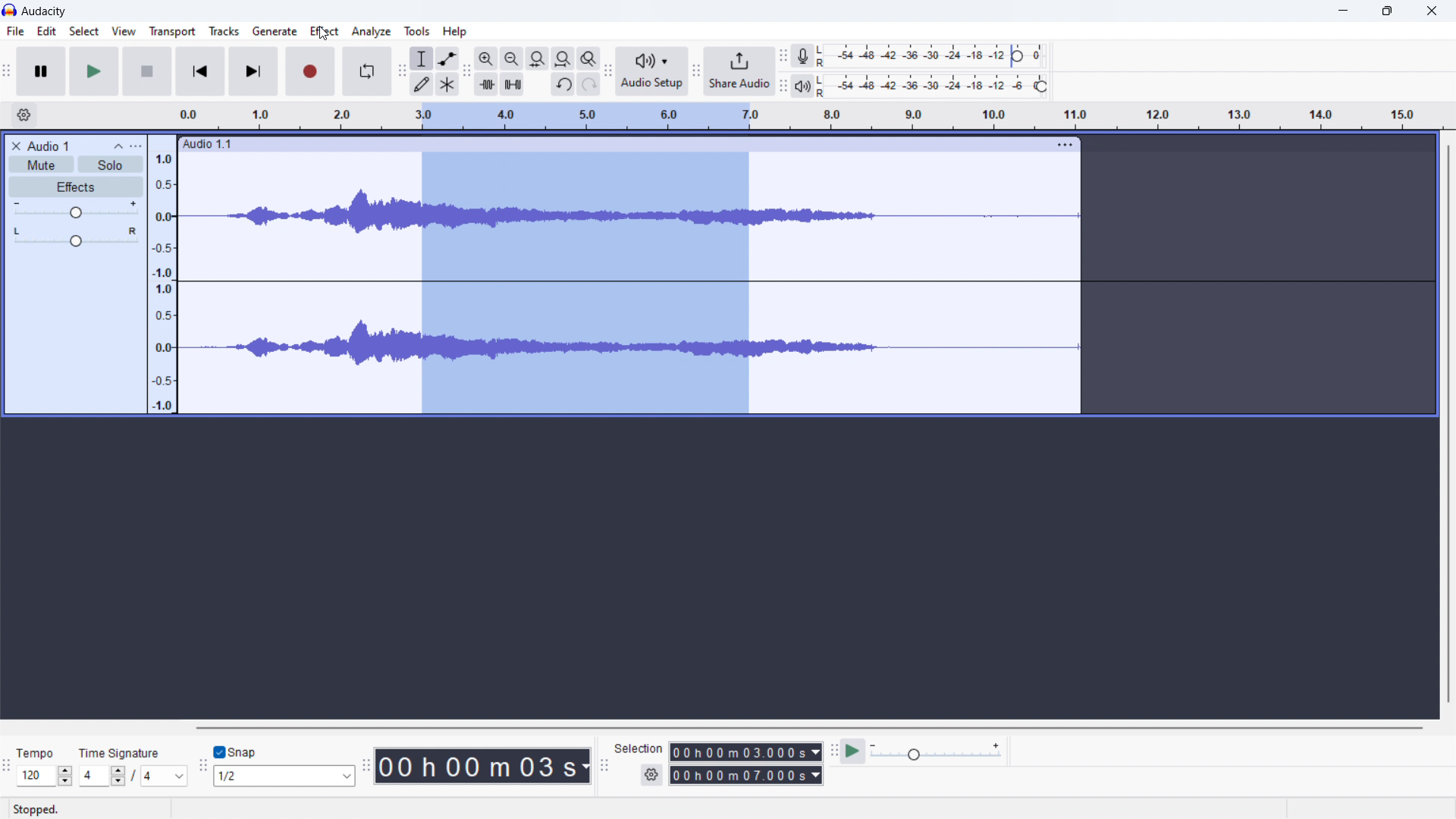  What do you see at coordinates (510, 58) in the screenshot?
I see `zoom out` at bounding box center [510, 58].